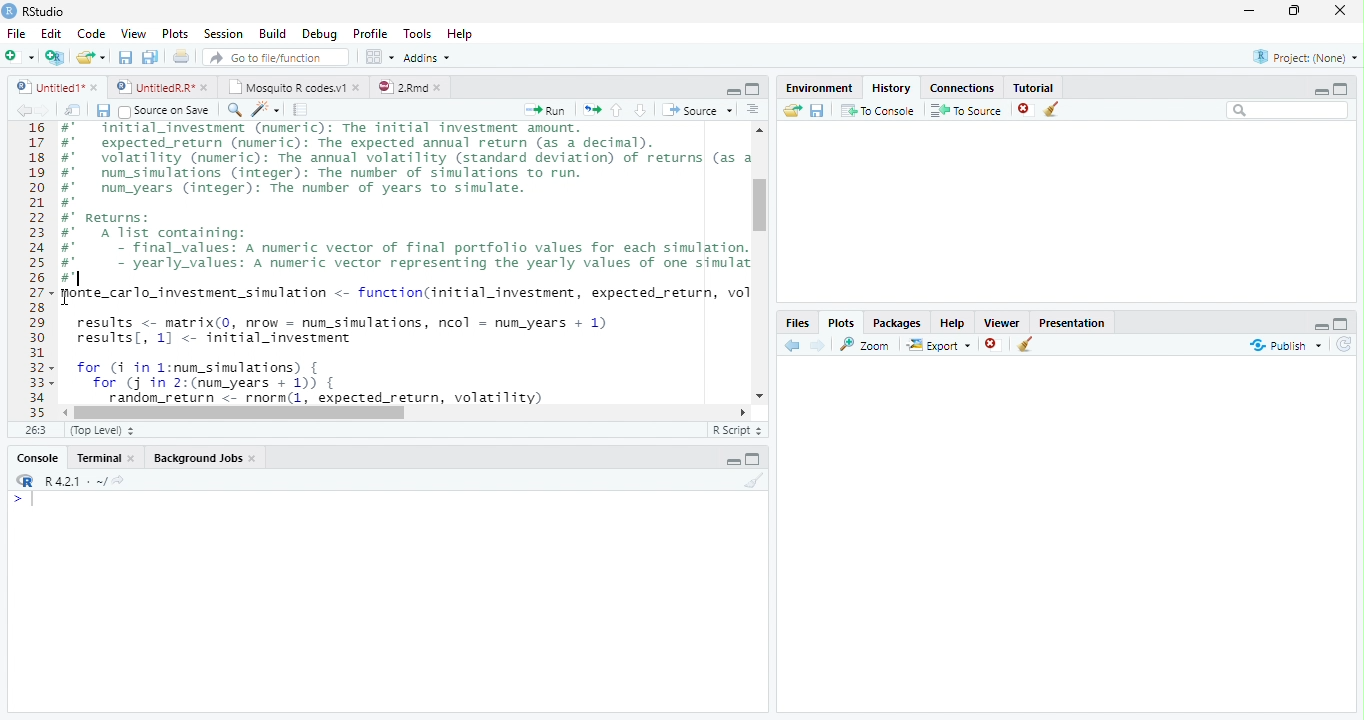 The width and height of the screenshot is (1364, 720). Describe the element at coordinates (1343, 322) in the screenshot. I see `Full Height` at that location.